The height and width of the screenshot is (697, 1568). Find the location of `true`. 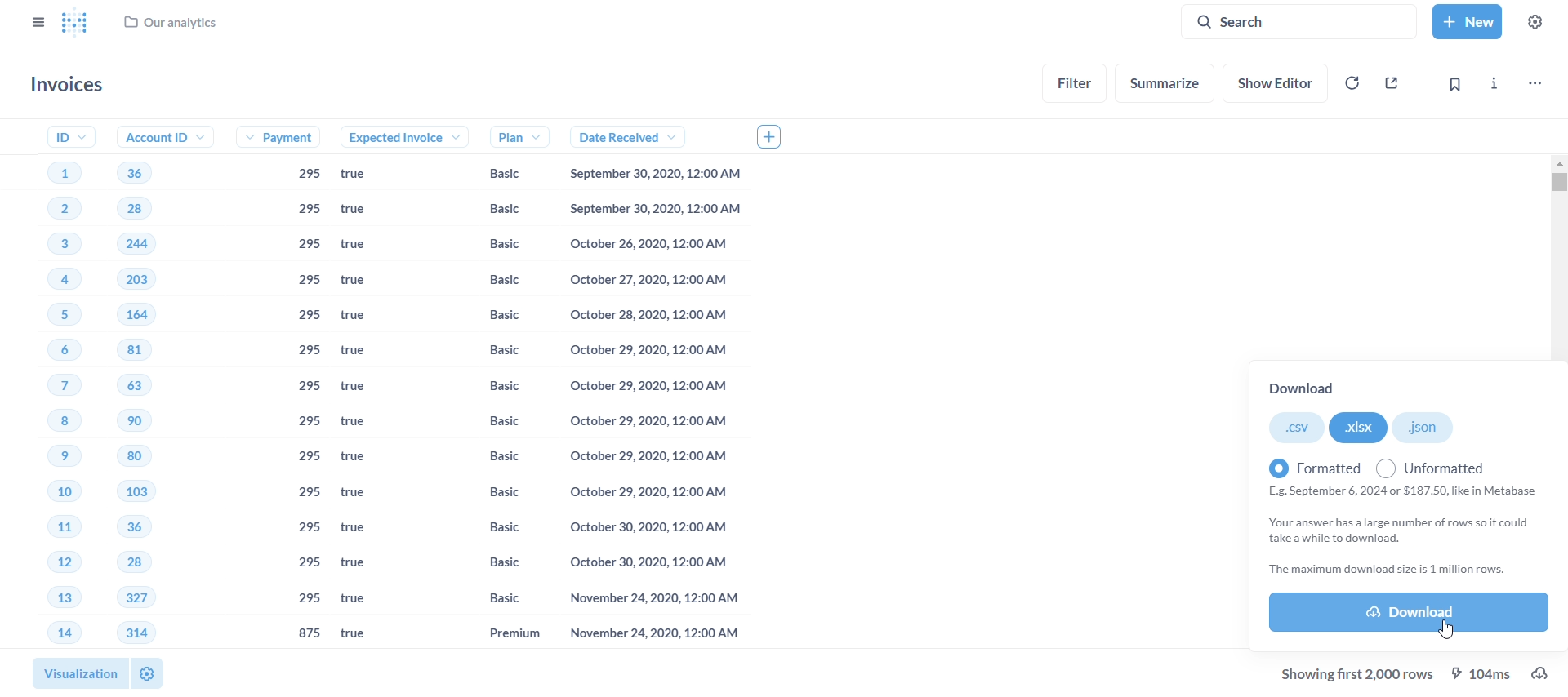

true is located at coordinates (369, 175).